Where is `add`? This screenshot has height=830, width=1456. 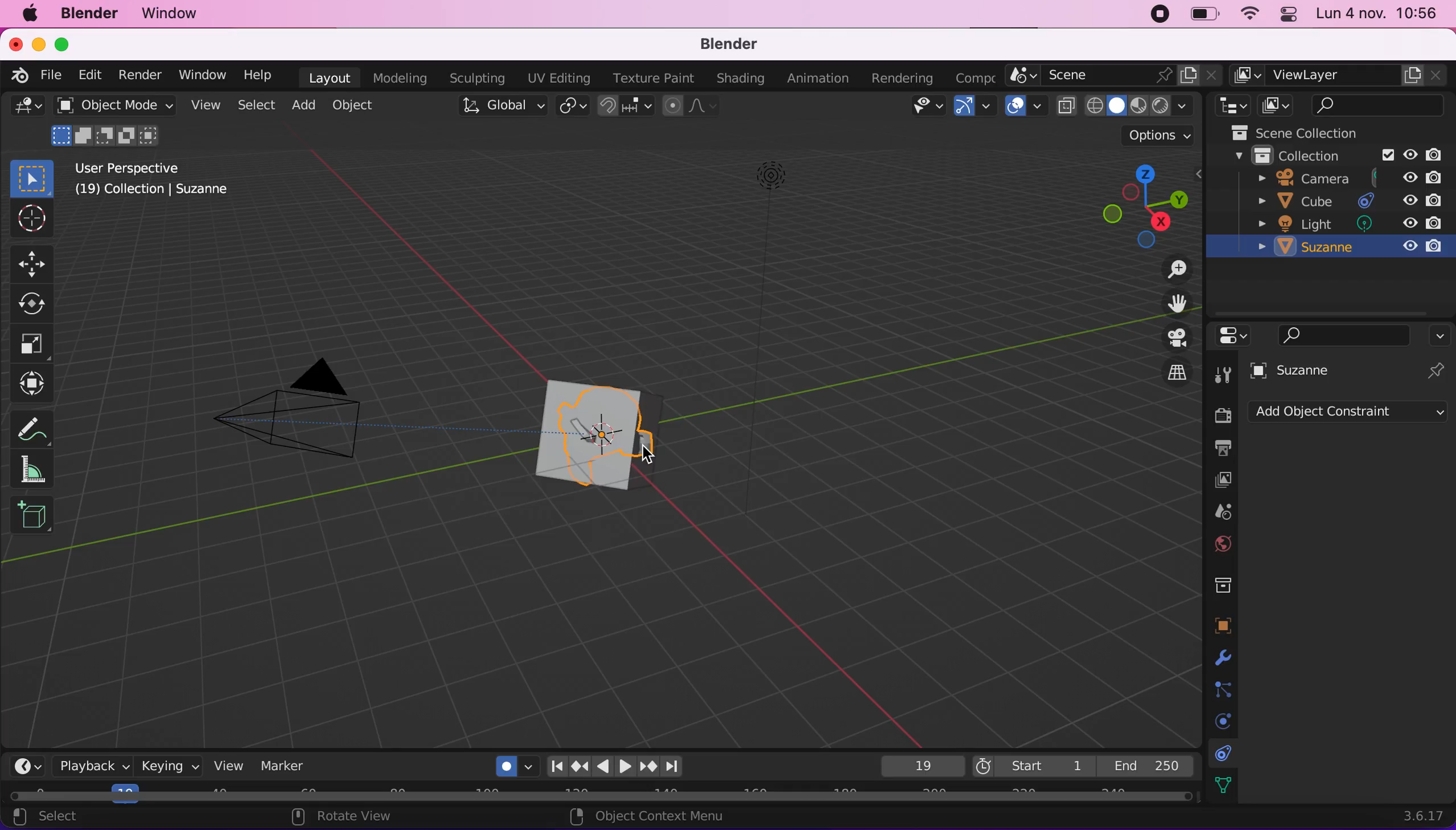 add is located at coordinates (303, 104).